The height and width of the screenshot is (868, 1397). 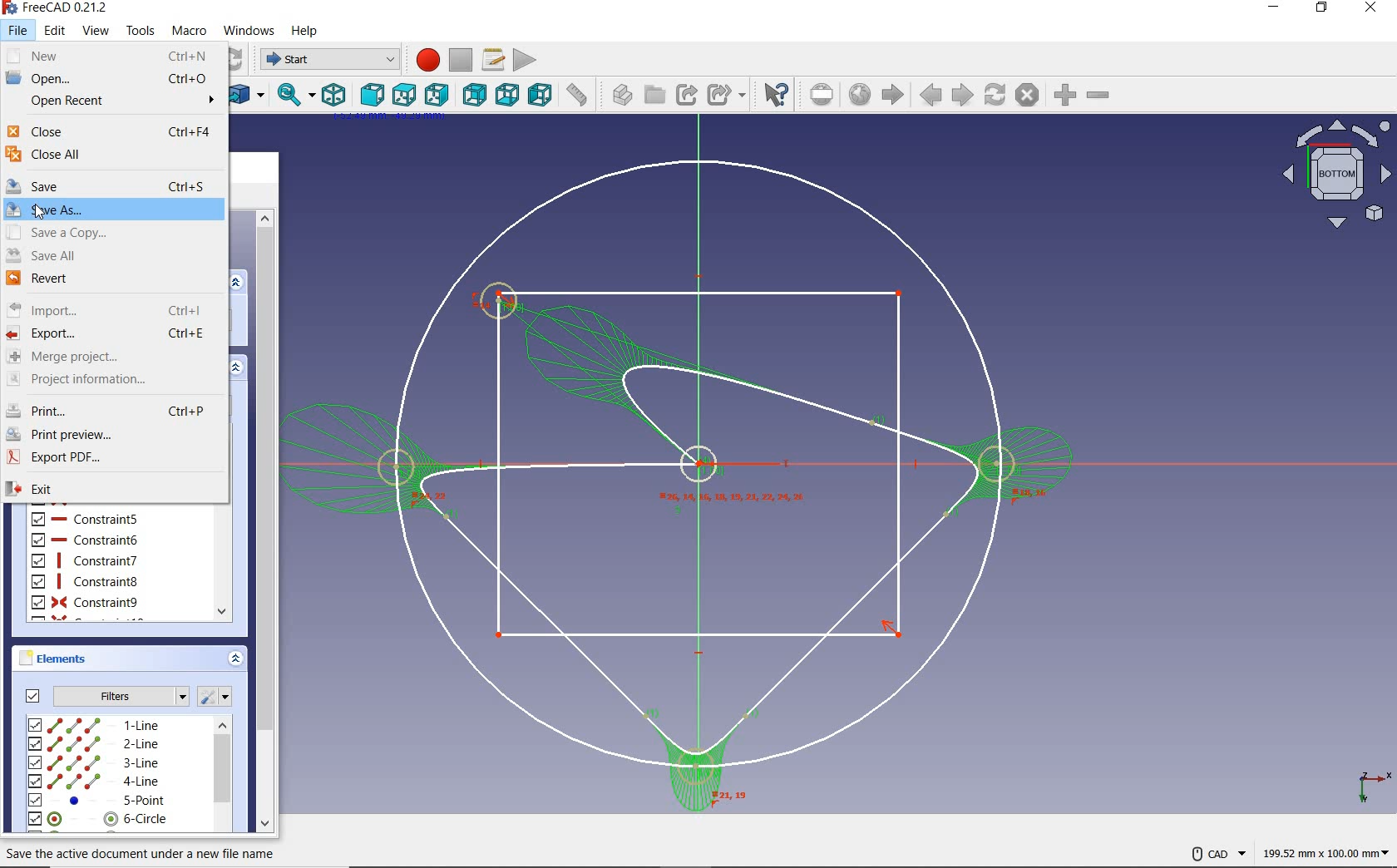 I want to click on dimensions, so click(x=1324, y=855).